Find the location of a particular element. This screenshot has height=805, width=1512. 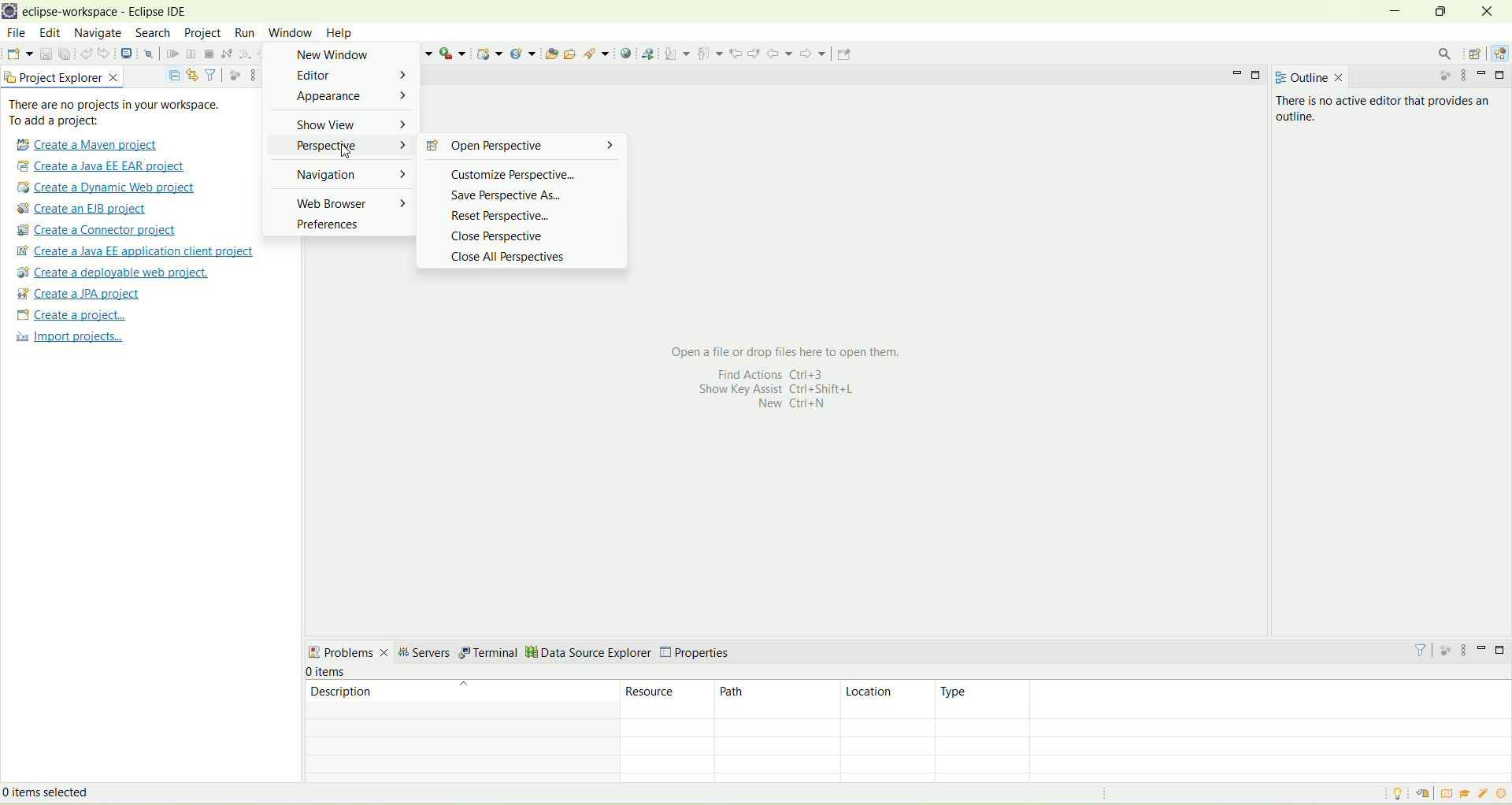

search is located at coordinates (1447, 54).